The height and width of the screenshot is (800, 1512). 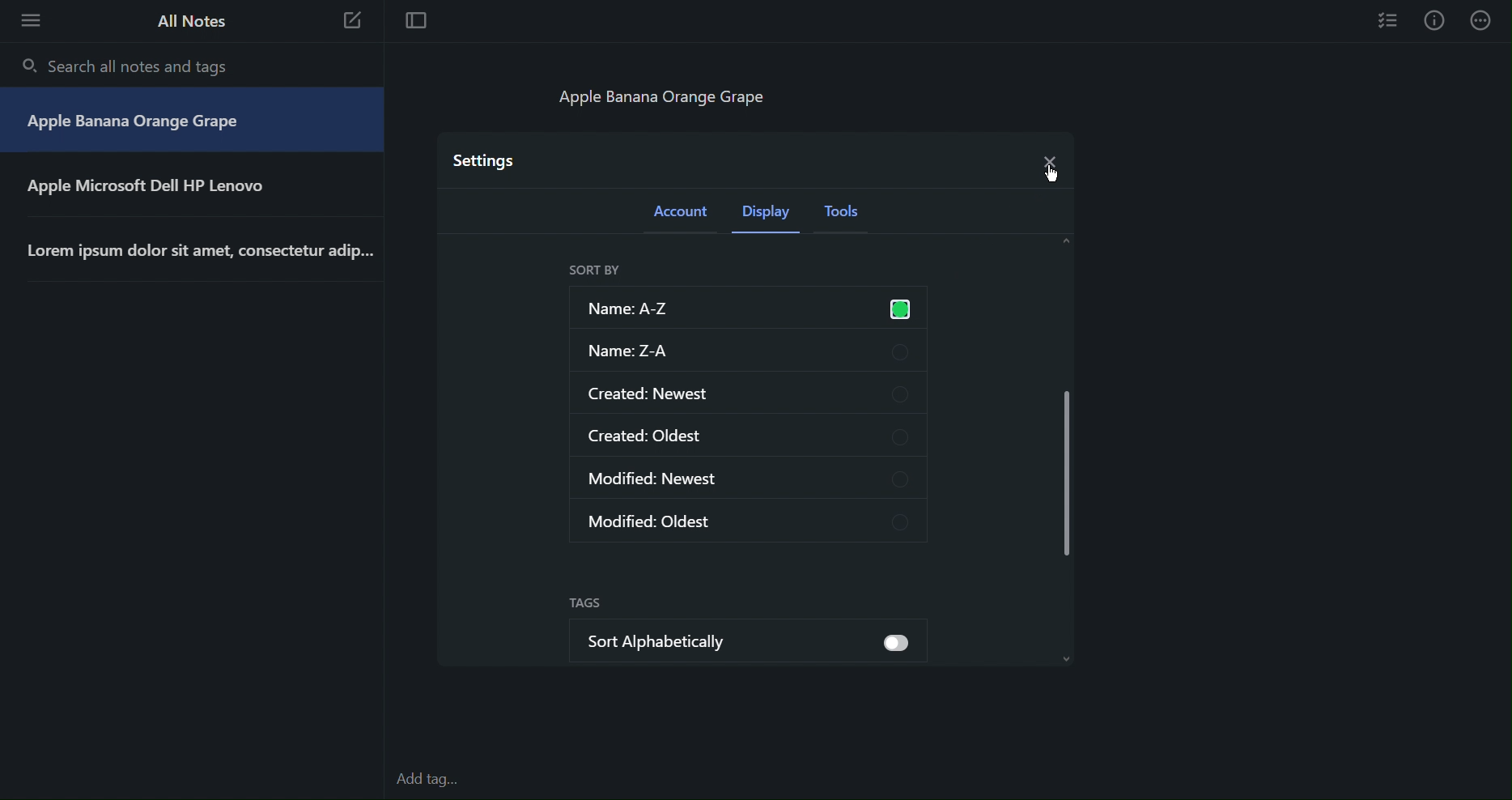 What do you see at coordinates (486, 160) in the screenshot?
I see `Settings` at bounding box center [486, 160].